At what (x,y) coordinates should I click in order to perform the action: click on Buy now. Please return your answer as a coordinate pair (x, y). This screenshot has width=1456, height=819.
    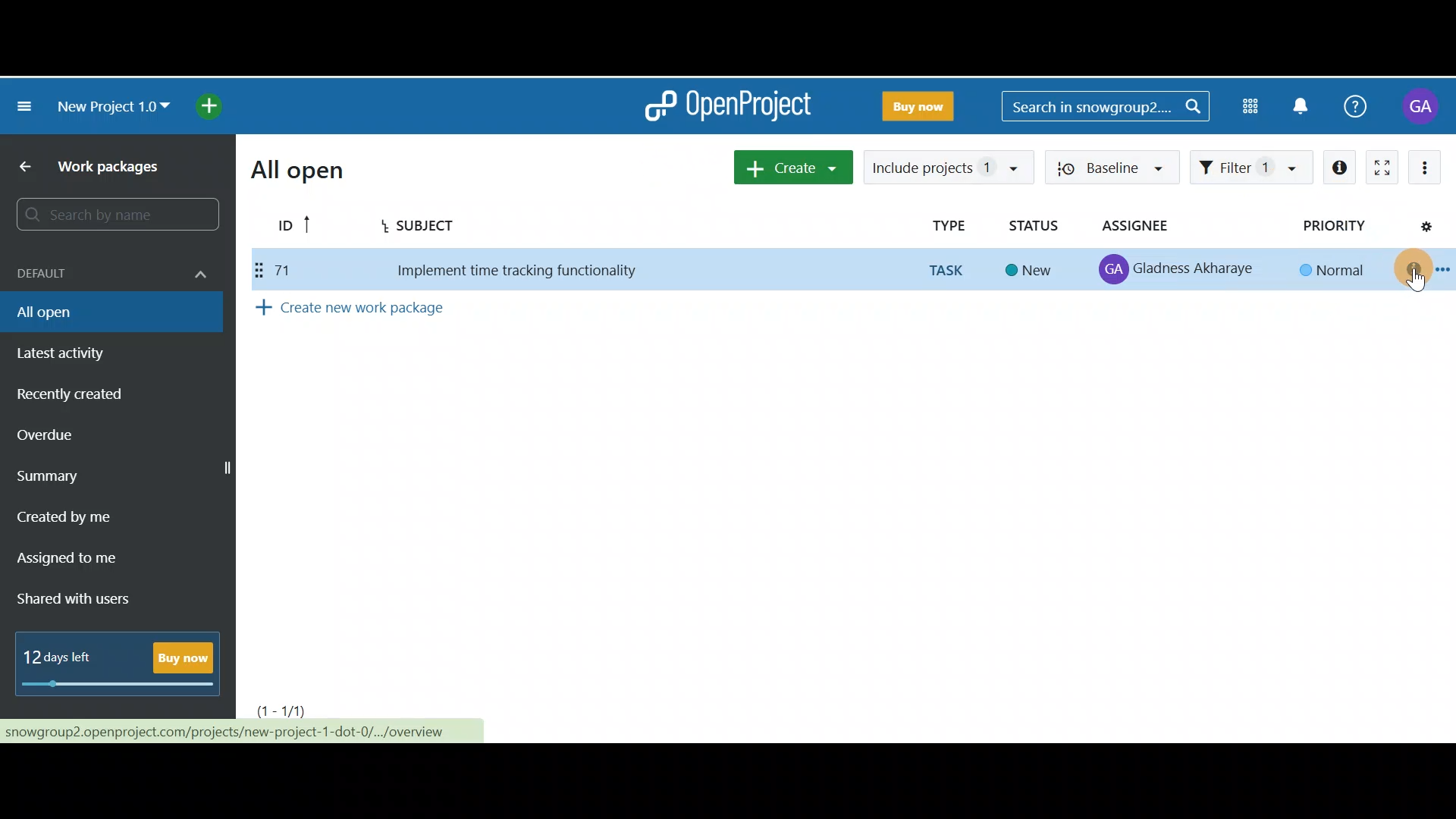
    Looking at the image, I should click on (918, 105).